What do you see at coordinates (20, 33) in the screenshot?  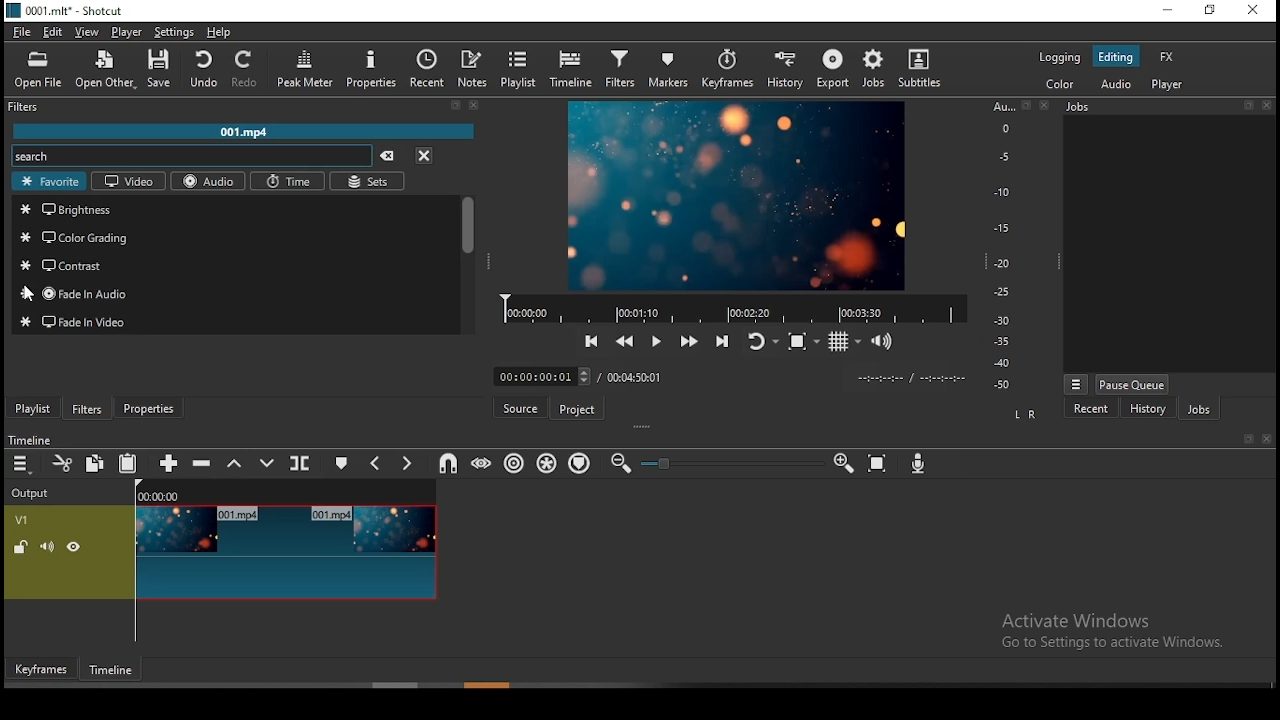 I see `file` at bounding box center [20, 33].